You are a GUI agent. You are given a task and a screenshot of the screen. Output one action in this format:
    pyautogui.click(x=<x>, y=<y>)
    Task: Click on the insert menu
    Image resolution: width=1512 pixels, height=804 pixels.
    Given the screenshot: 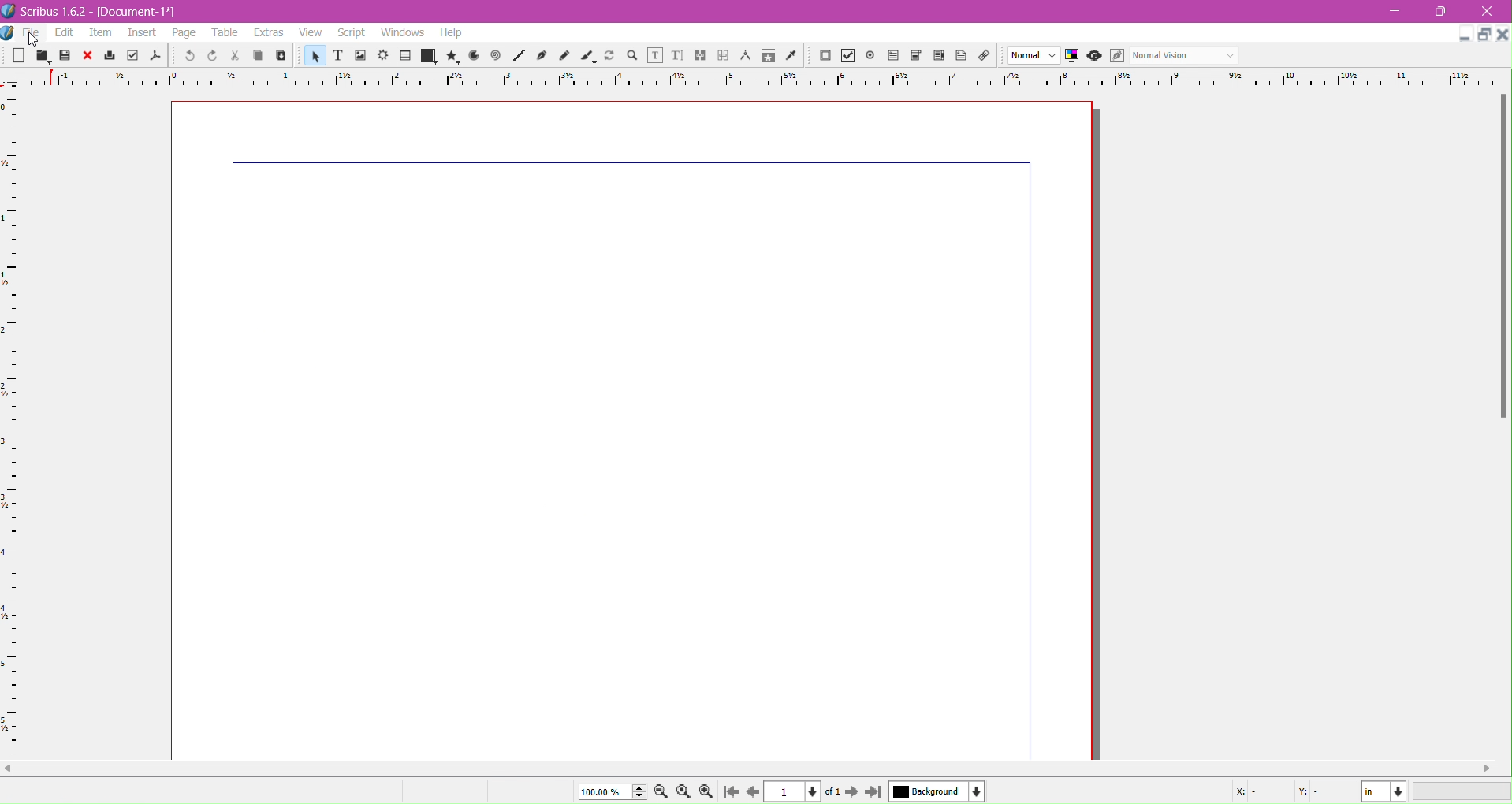 What is the action you would take?
    pyautogui.click(x=142, y=34)
    